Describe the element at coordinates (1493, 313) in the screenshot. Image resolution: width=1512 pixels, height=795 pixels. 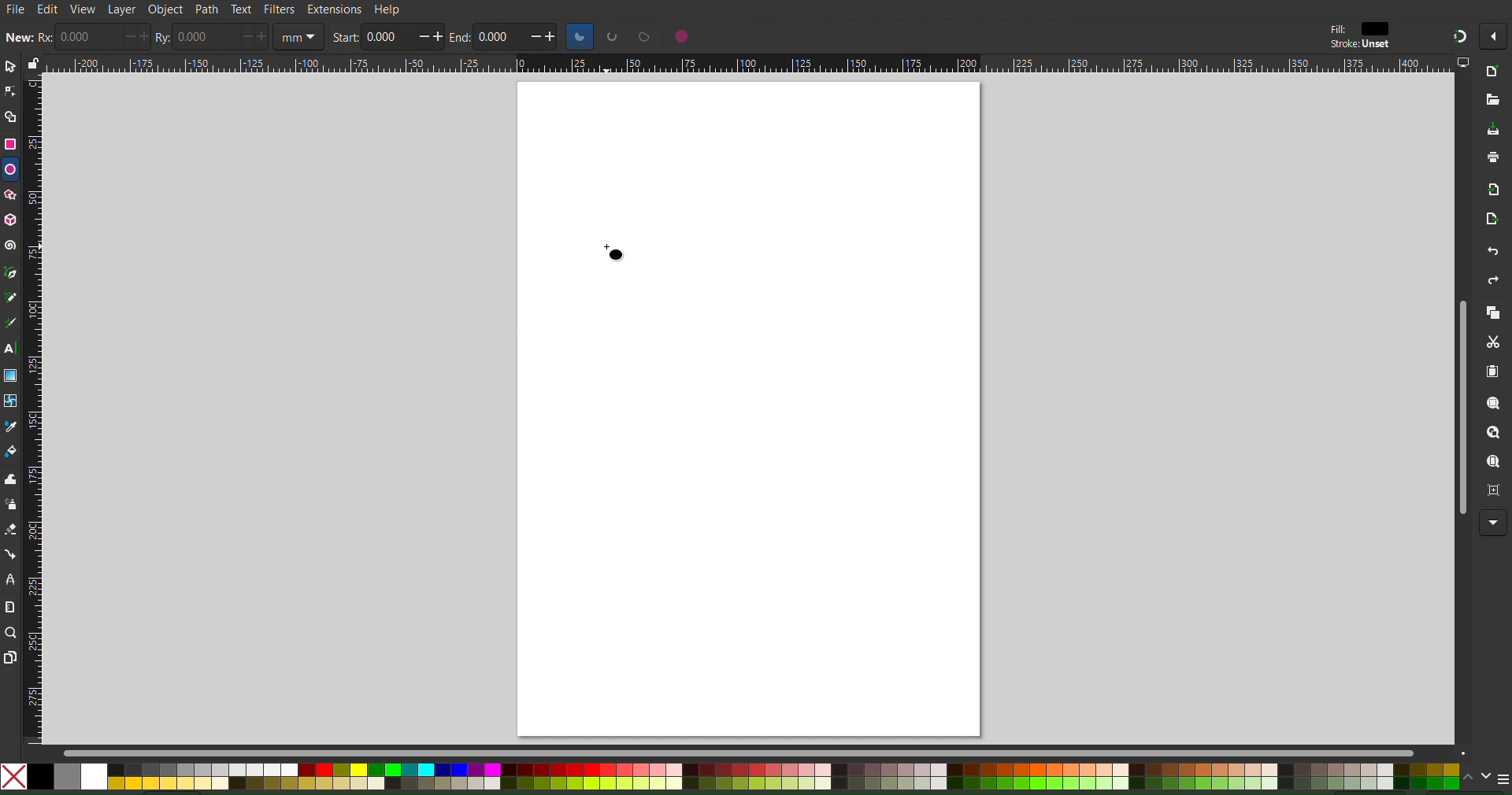
I see `Copy` at that location.